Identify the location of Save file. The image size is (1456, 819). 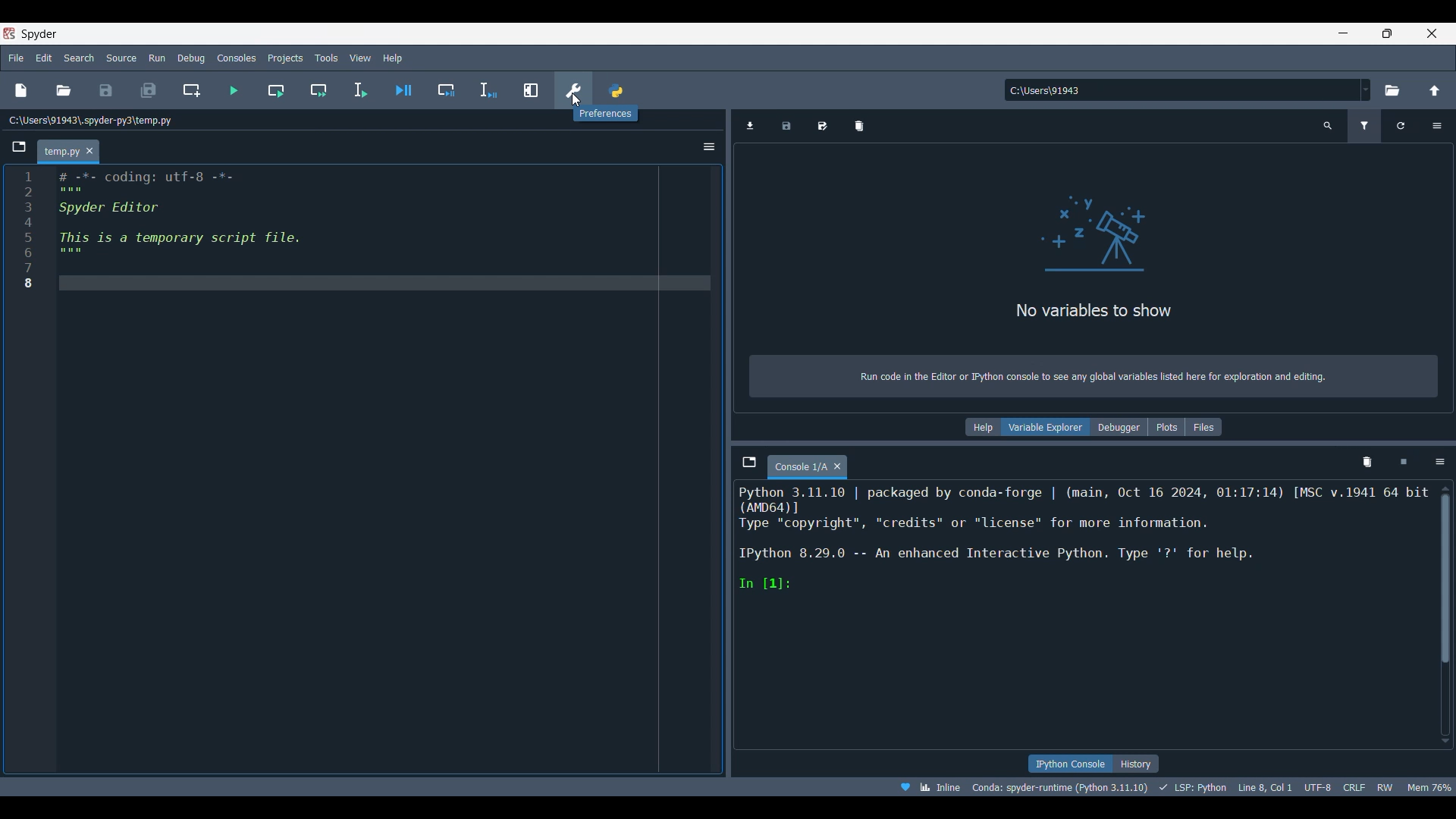
(107, 90).